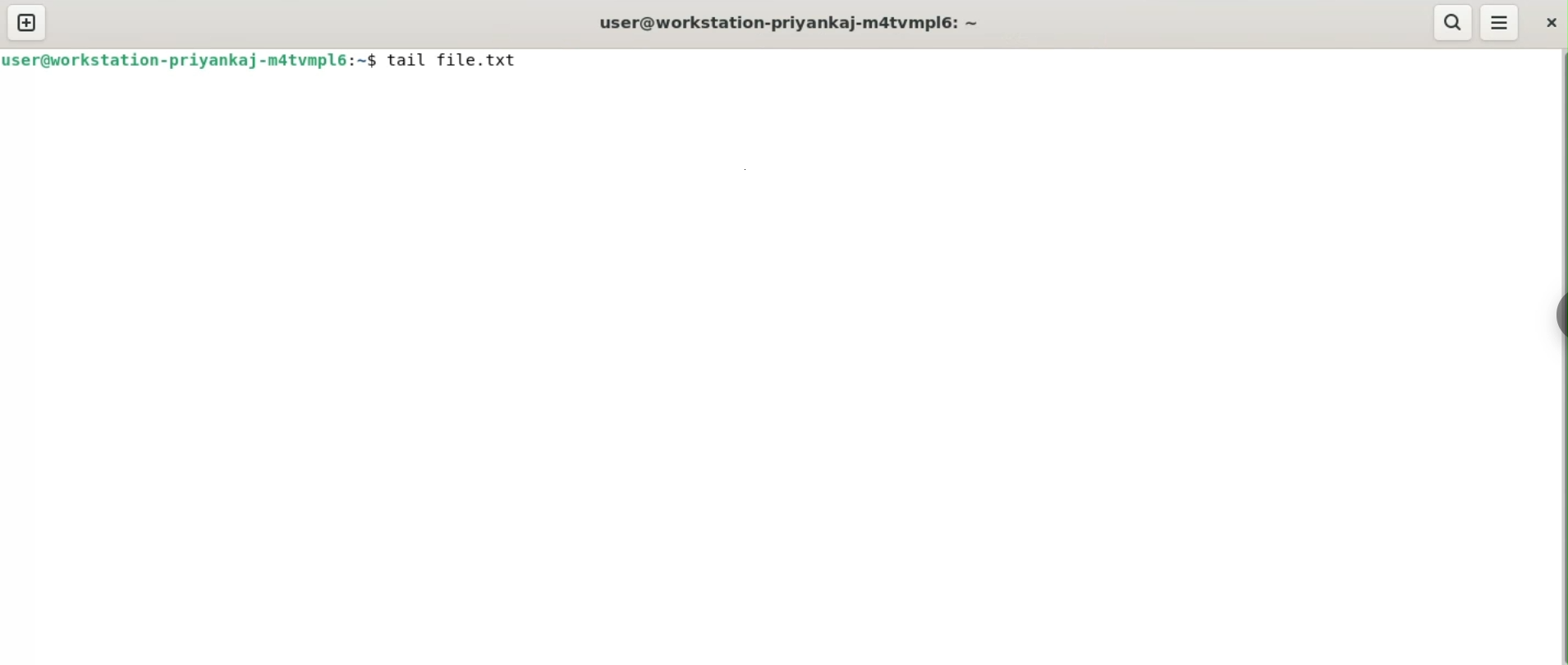 The width and height of the screenshot is (1568, 665). Describe the element at coordinates (1498, 24) in the screenshot. I see `menu` at that location.